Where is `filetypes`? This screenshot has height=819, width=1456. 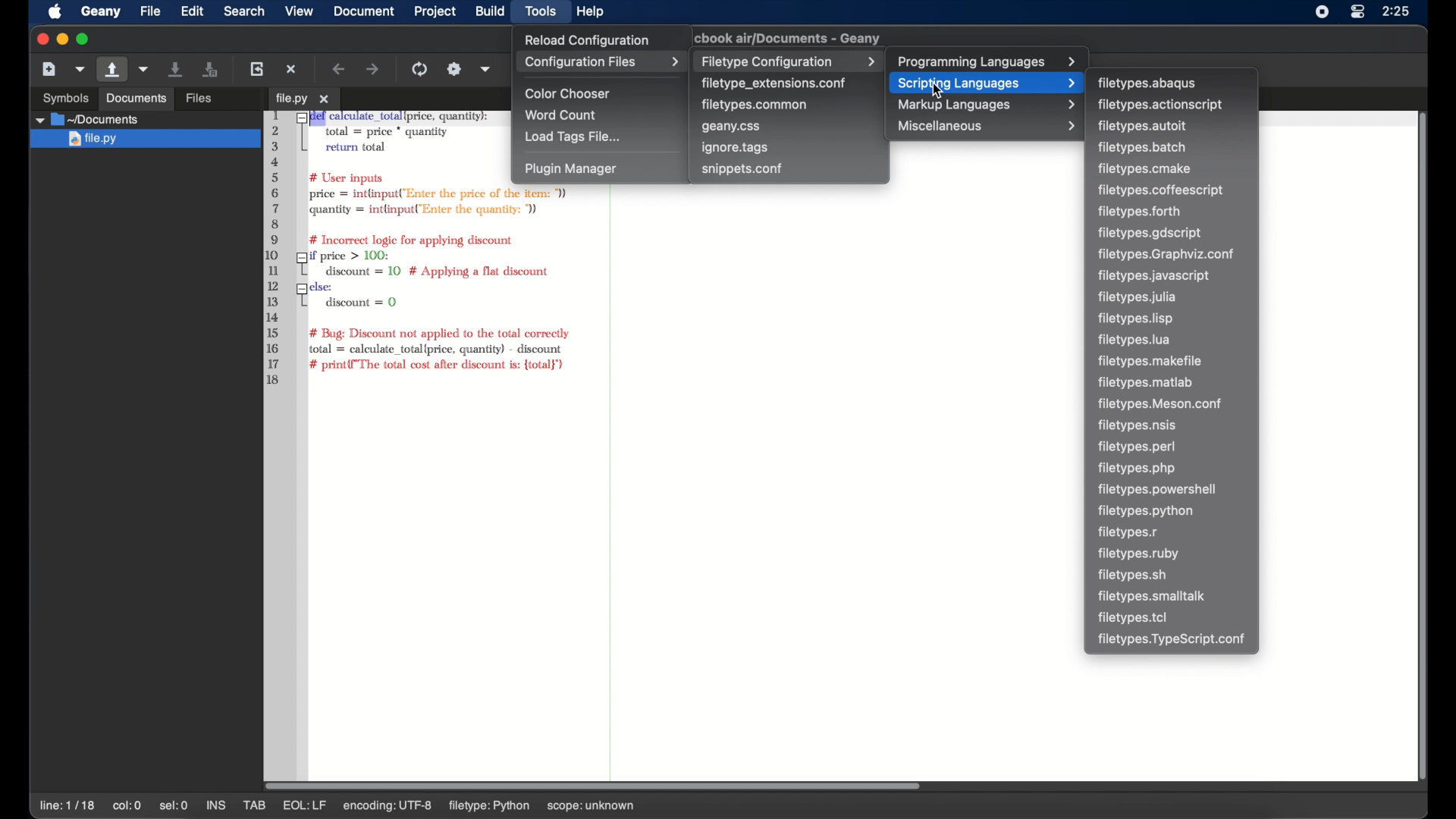 filetypes is located at coordinates (1142, 148).